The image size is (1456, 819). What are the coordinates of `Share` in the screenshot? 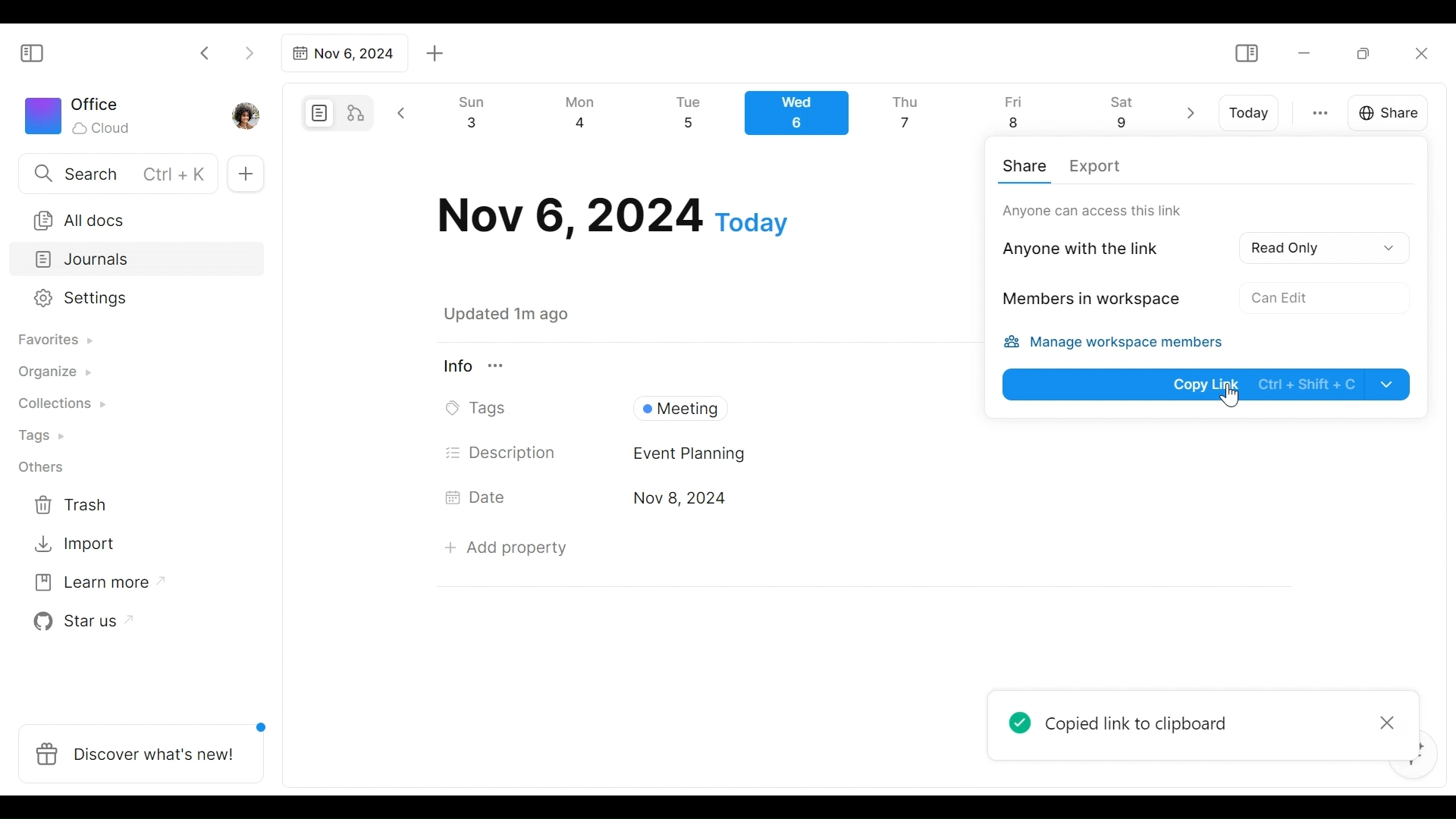 It's located at (1384, 111).